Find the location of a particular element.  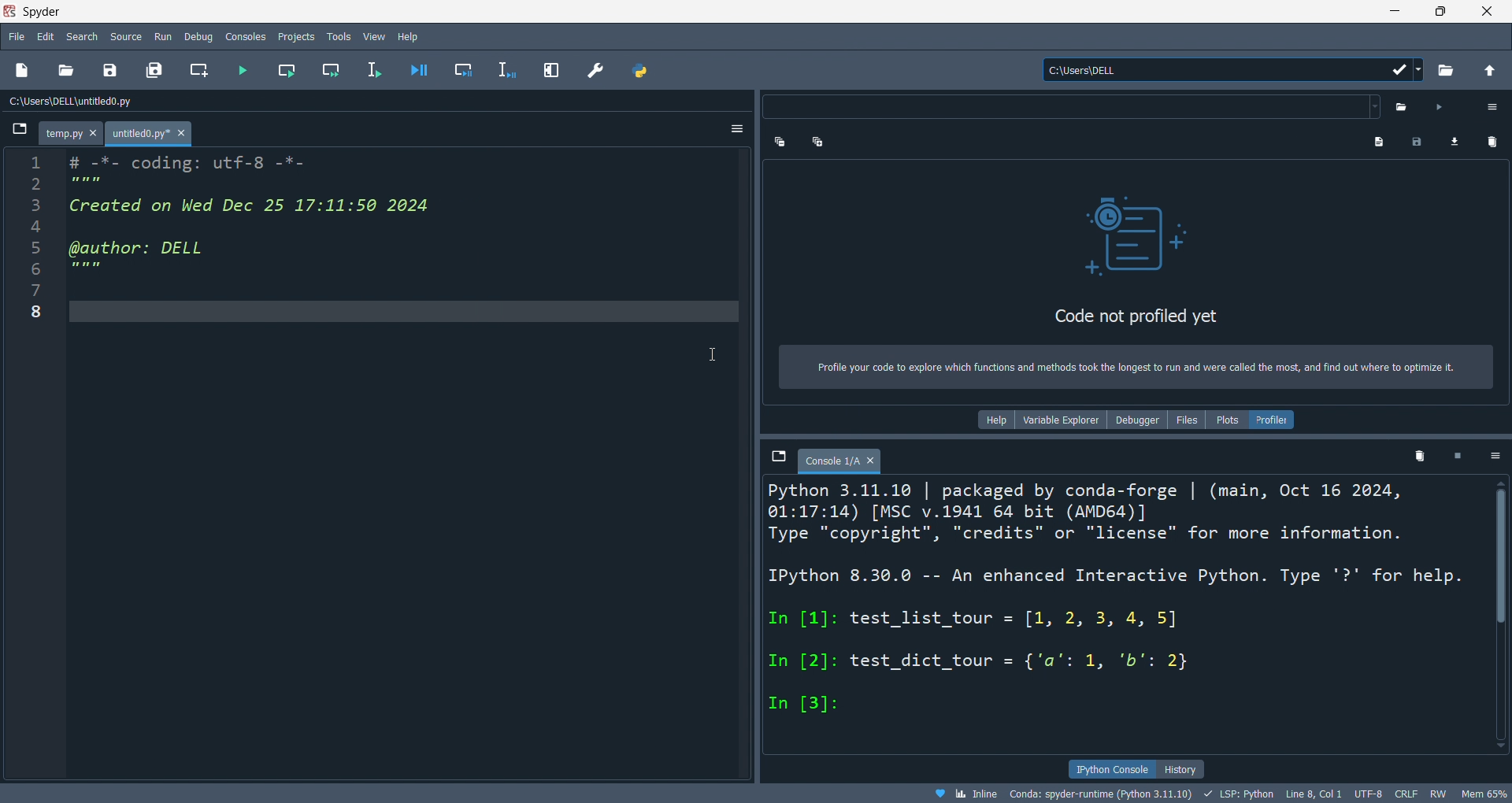

open directory is located at coordinates (1446, 69).